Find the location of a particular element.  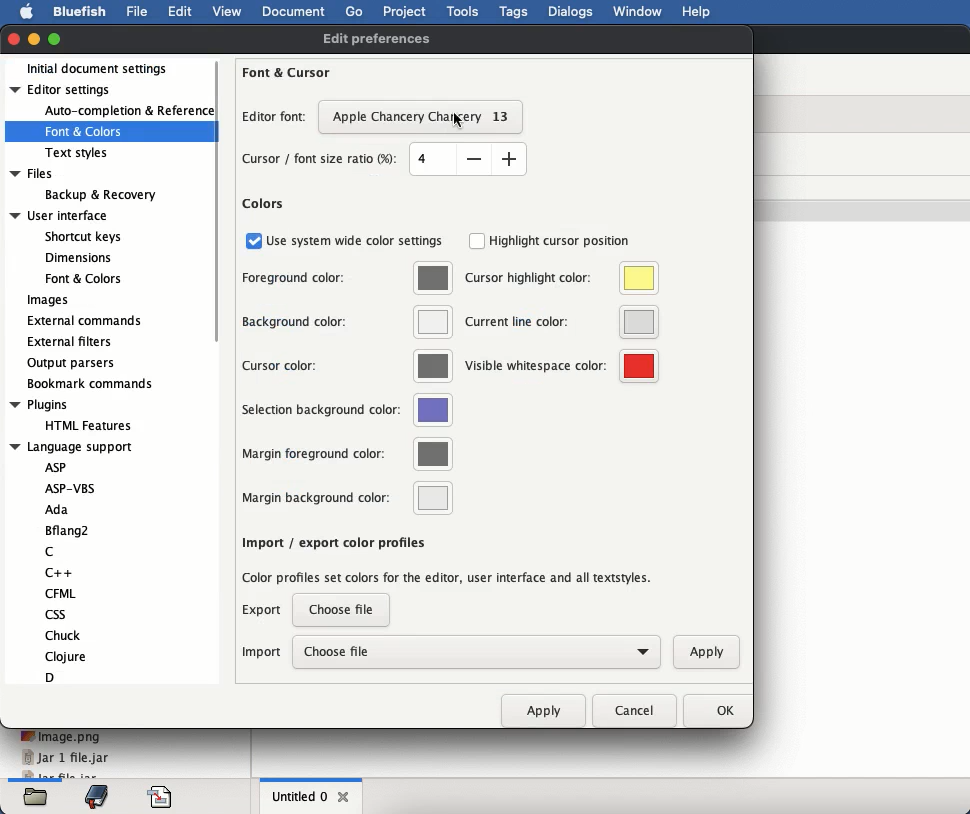

tags is located at coordinates (514, 12).